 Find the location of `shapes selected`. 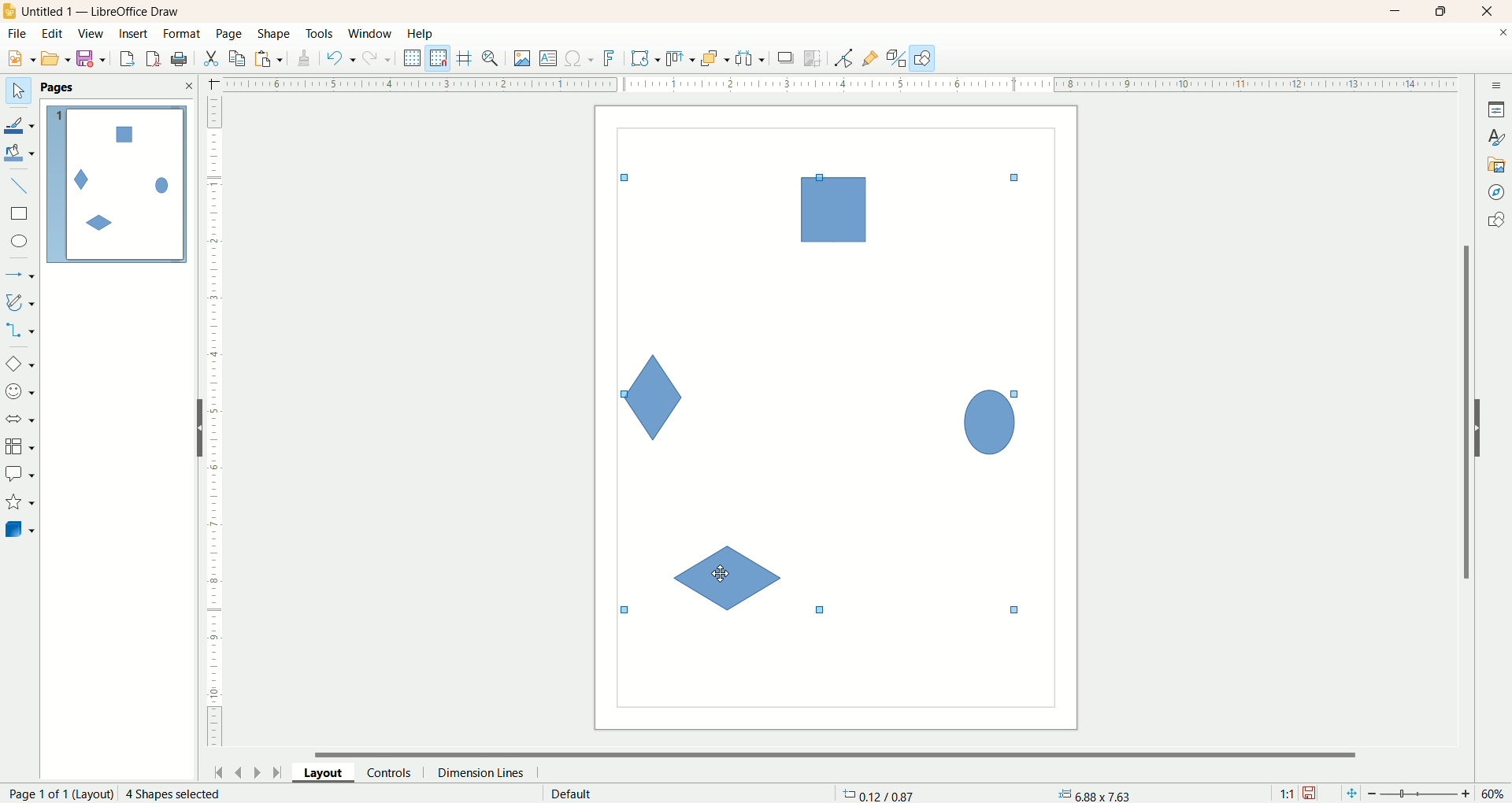

shapes selected is located at coordinates (817, 387).